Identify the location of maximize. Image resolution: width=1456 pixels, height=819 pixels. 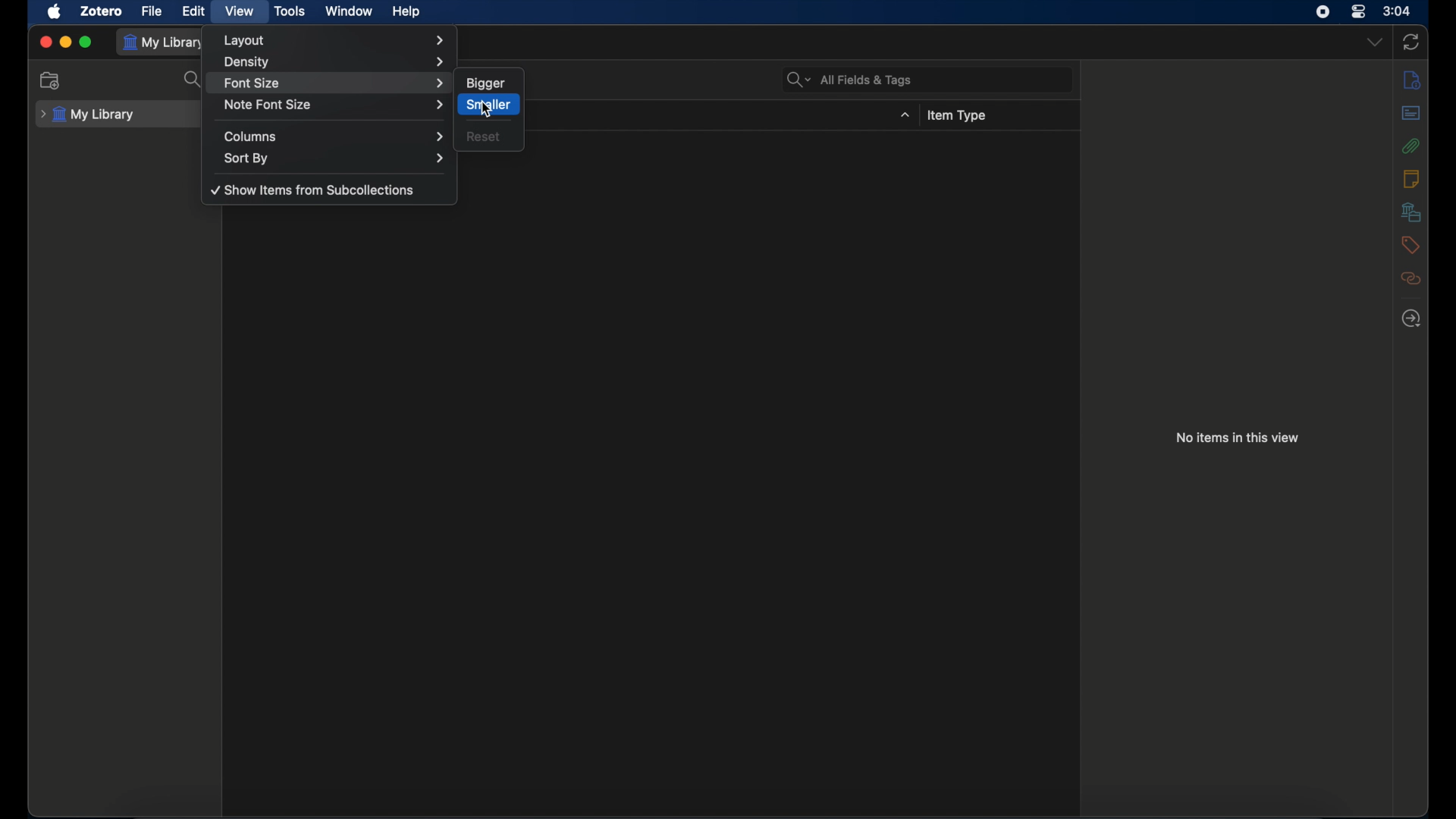
(86, 42).